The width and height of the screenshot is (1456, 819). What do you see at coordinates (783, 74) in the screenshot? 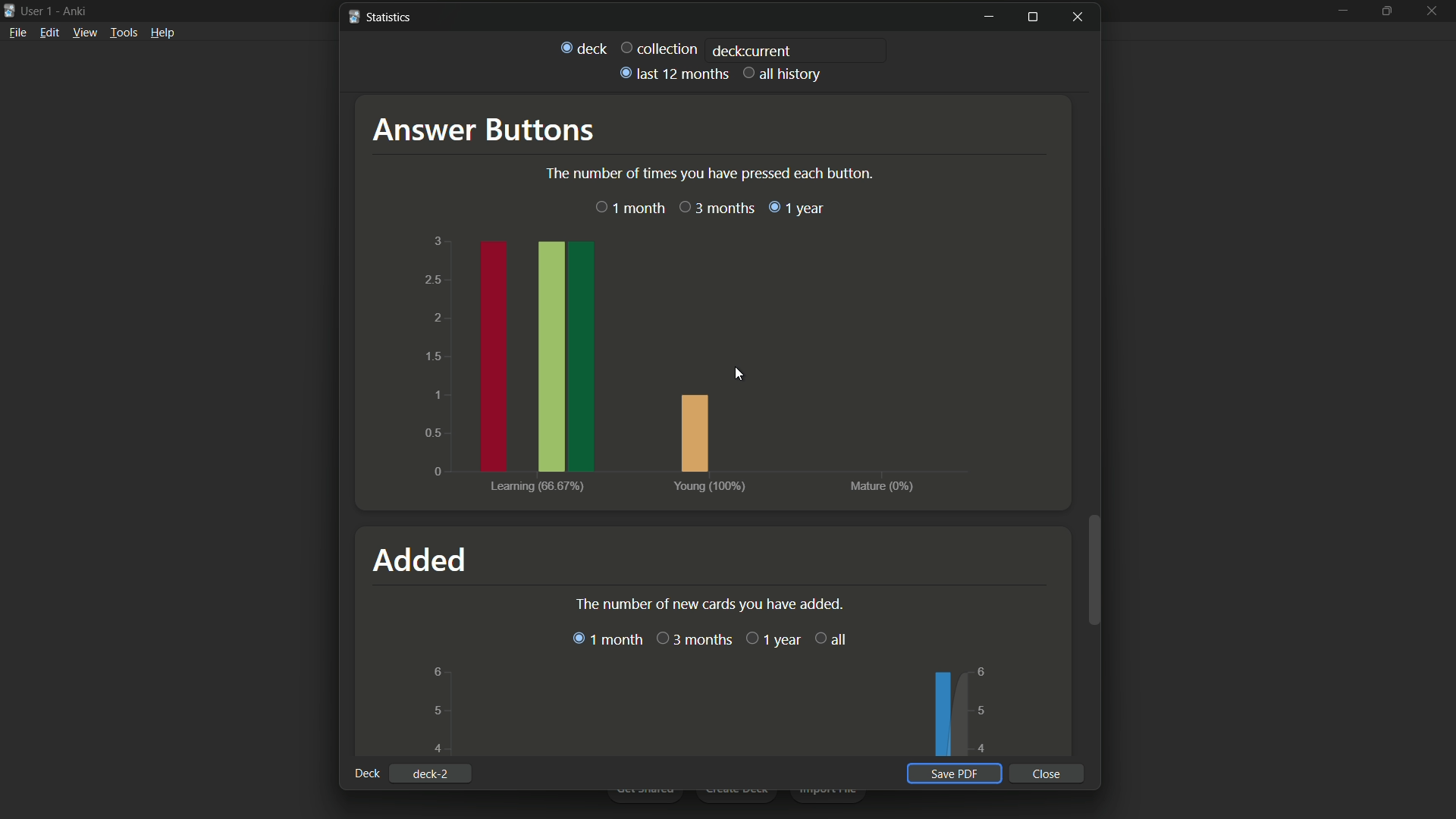
I see `All history` at bounding box center [783, 74].